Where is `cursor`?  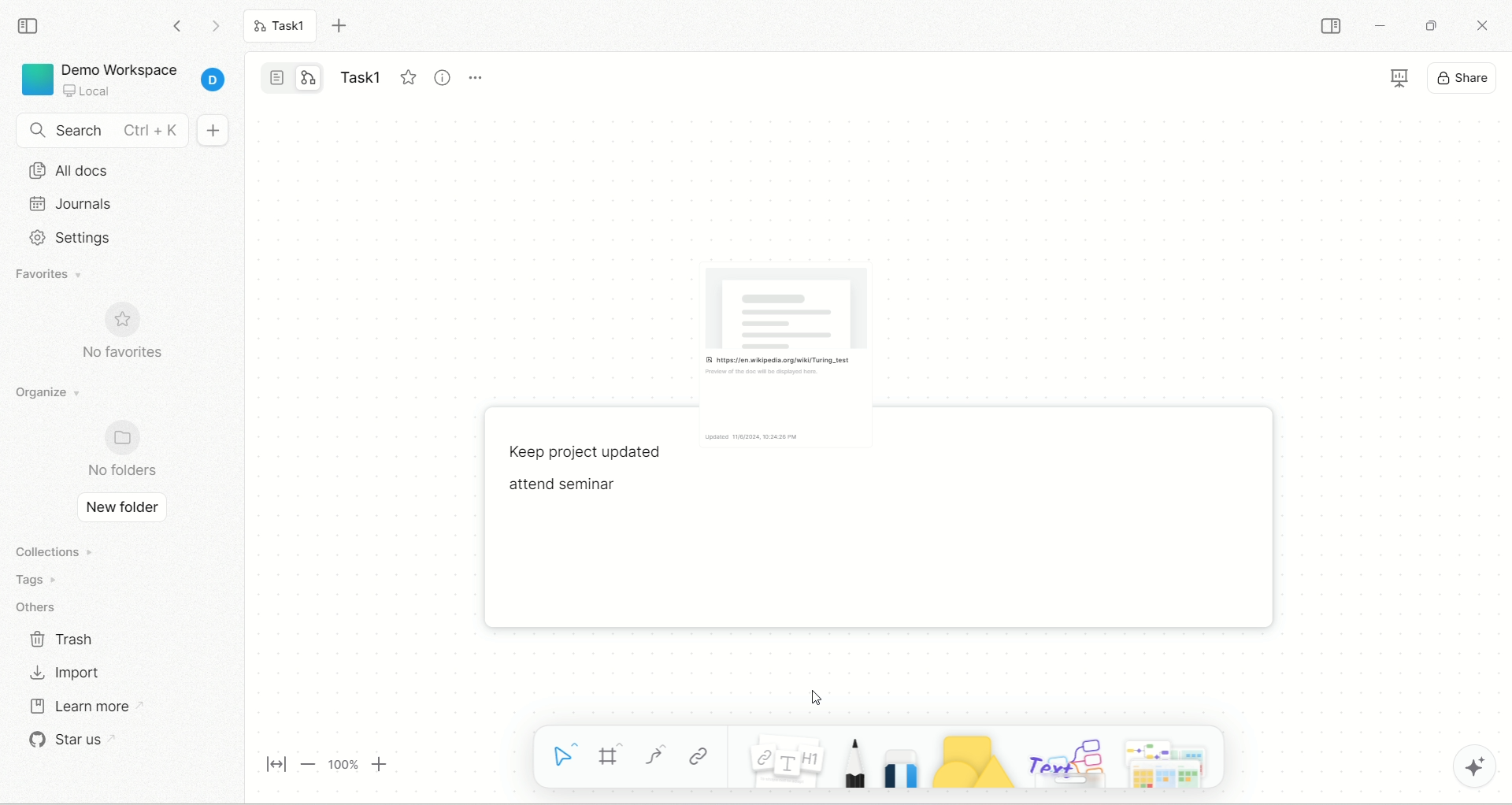
cursor is located at coordinates (813, 697).